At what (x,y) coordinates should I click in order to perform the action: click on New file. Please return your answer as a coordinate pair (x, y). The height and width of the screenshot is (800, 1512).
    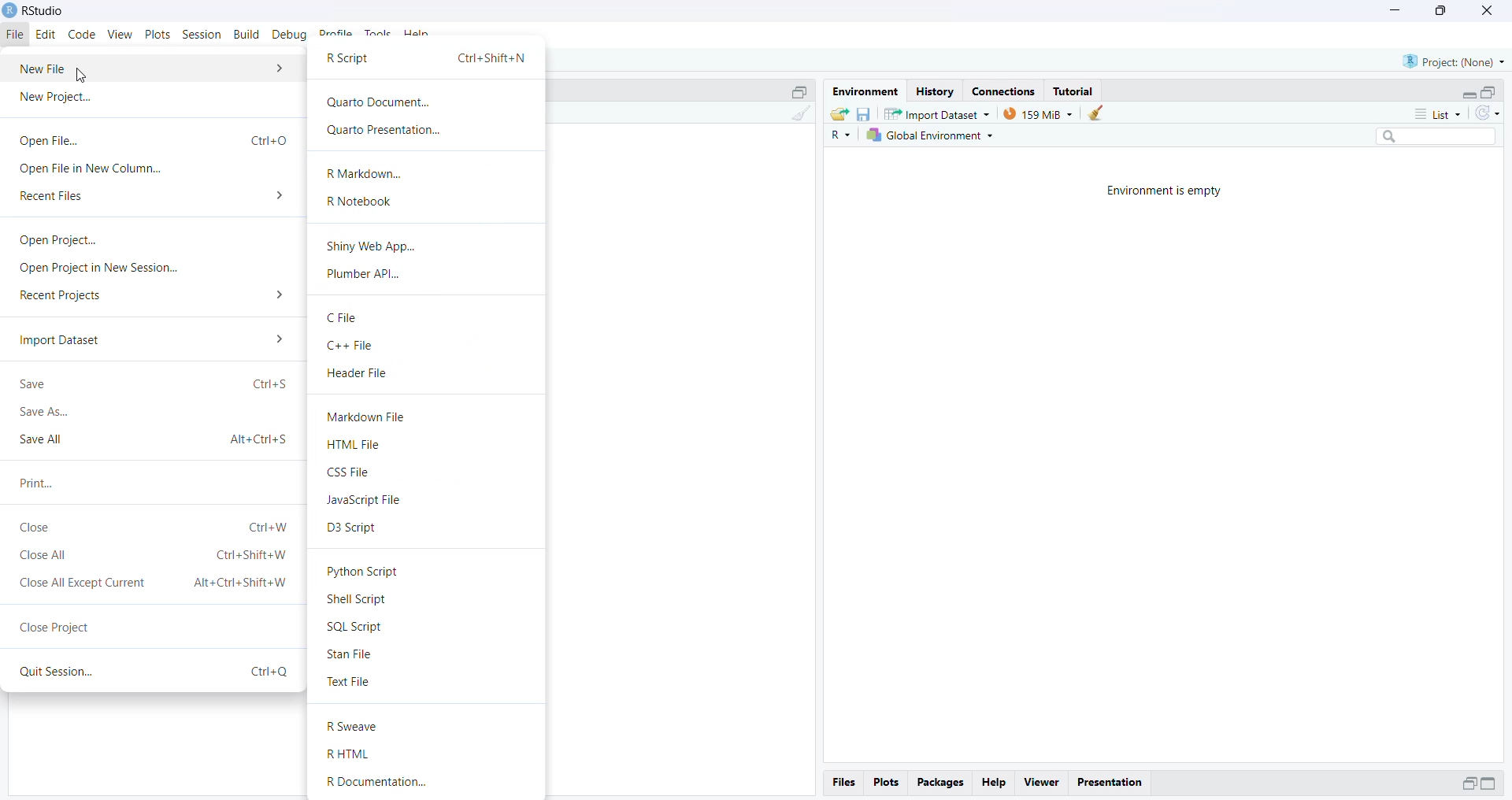
    Looking at the image, I should click on (150, 68).